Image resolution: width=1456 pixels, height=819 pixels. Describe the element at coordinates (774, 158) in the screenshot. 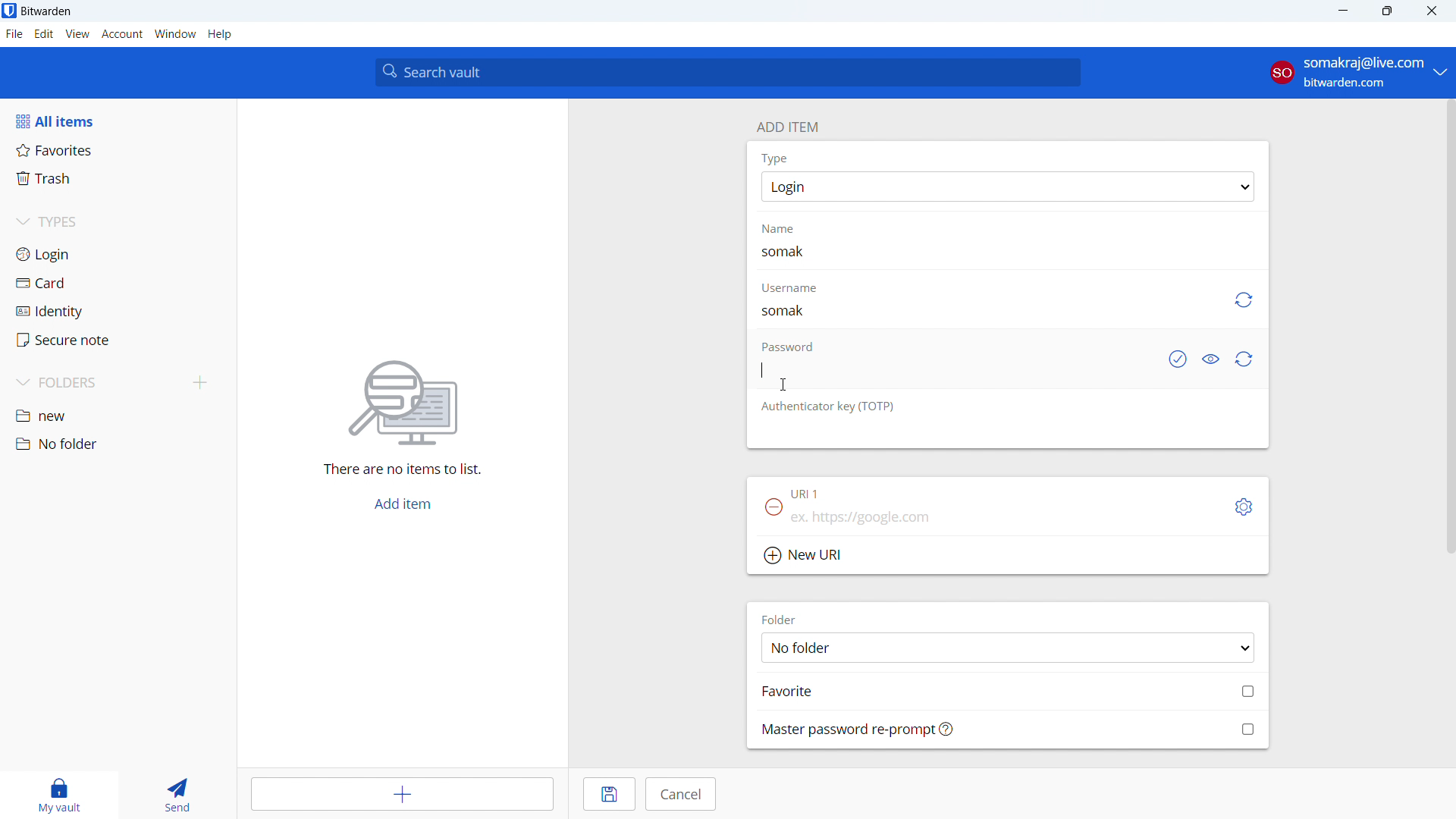

I see `Type` at that location.